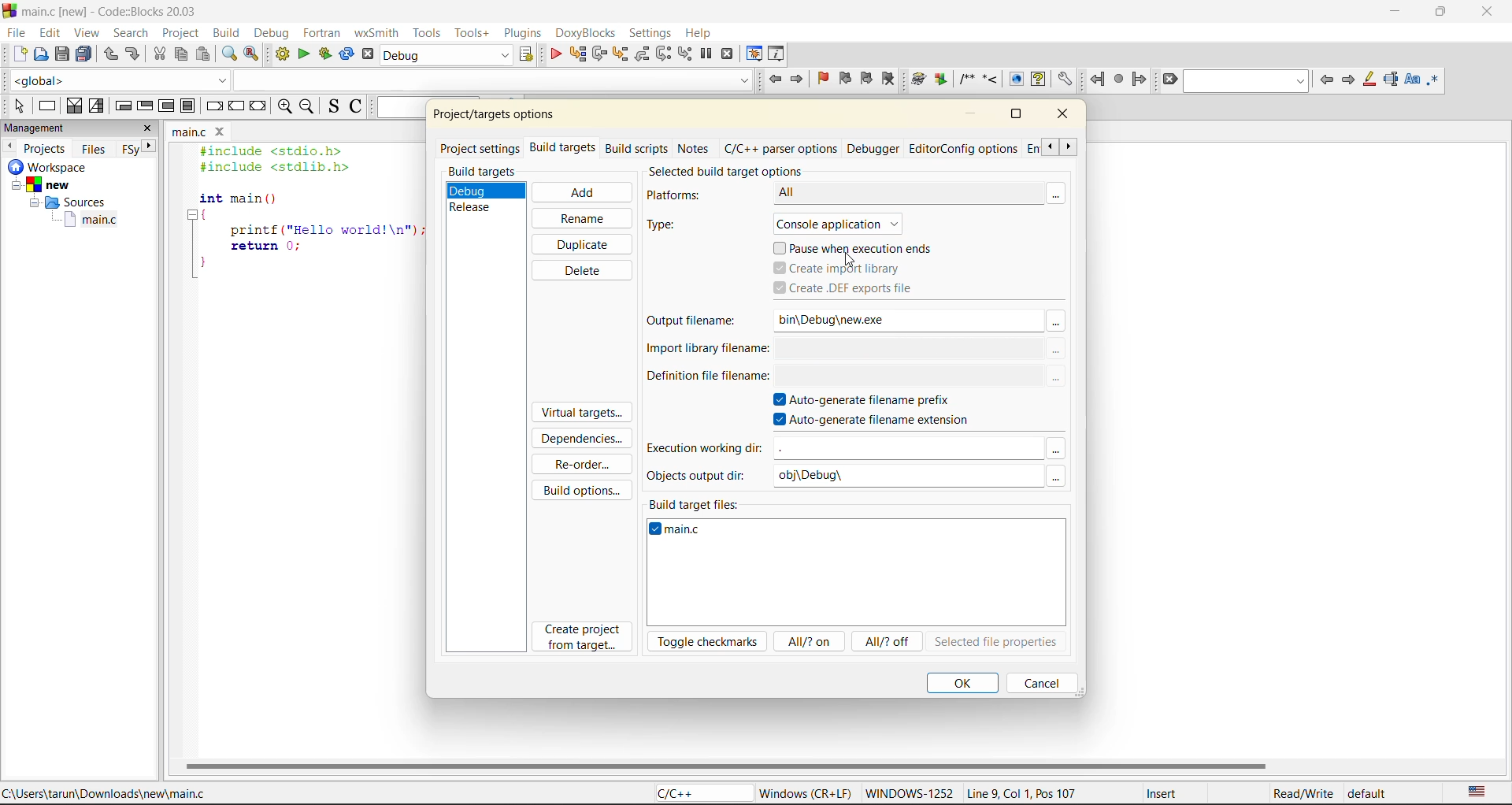 The image size is (1512, 805). Describe the element at coordinates (661, 53) in the screenshot. I see `next instruction` at that location.